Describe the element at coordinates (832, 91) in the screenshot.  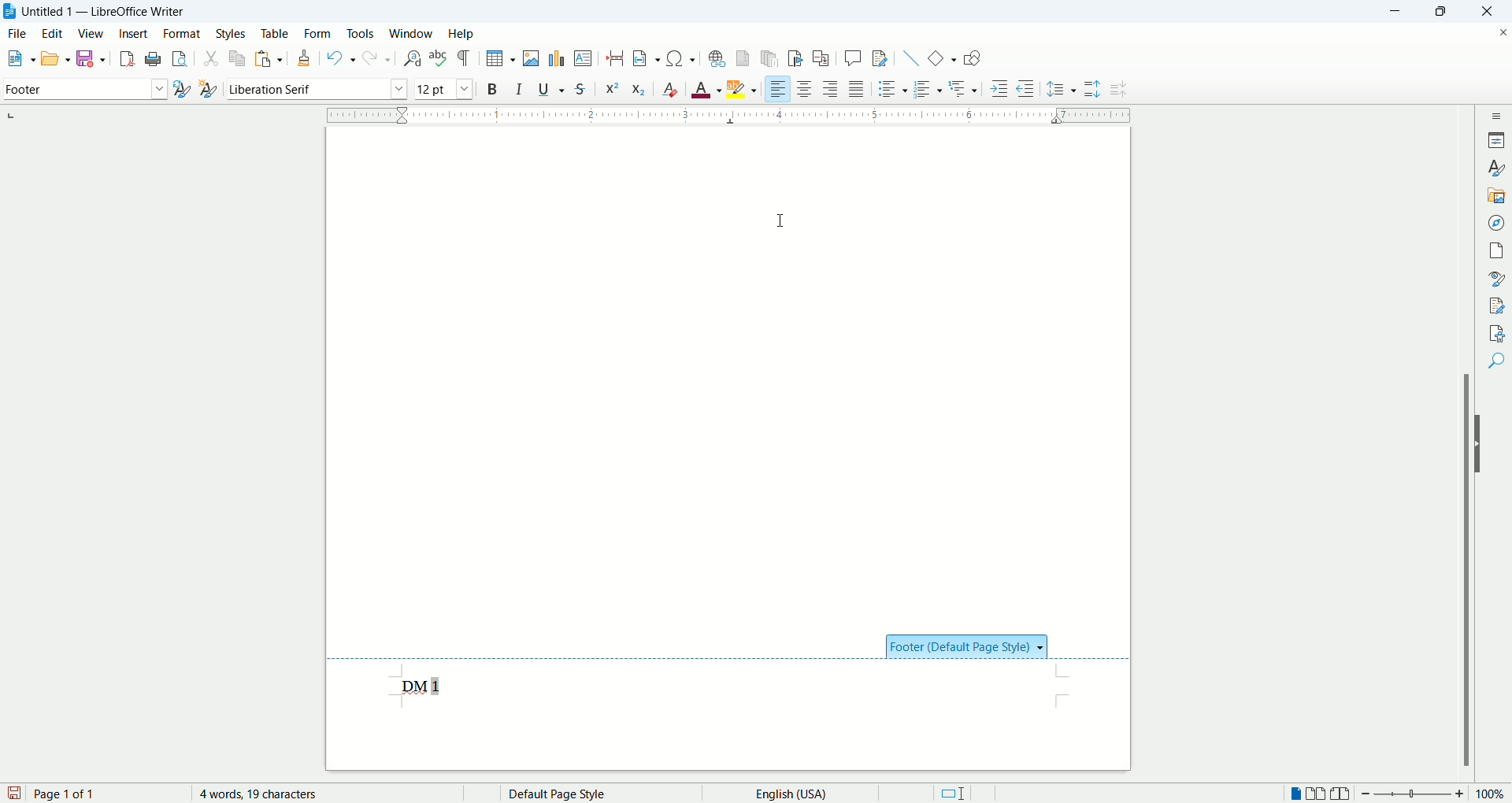
I see `align right` at that location.